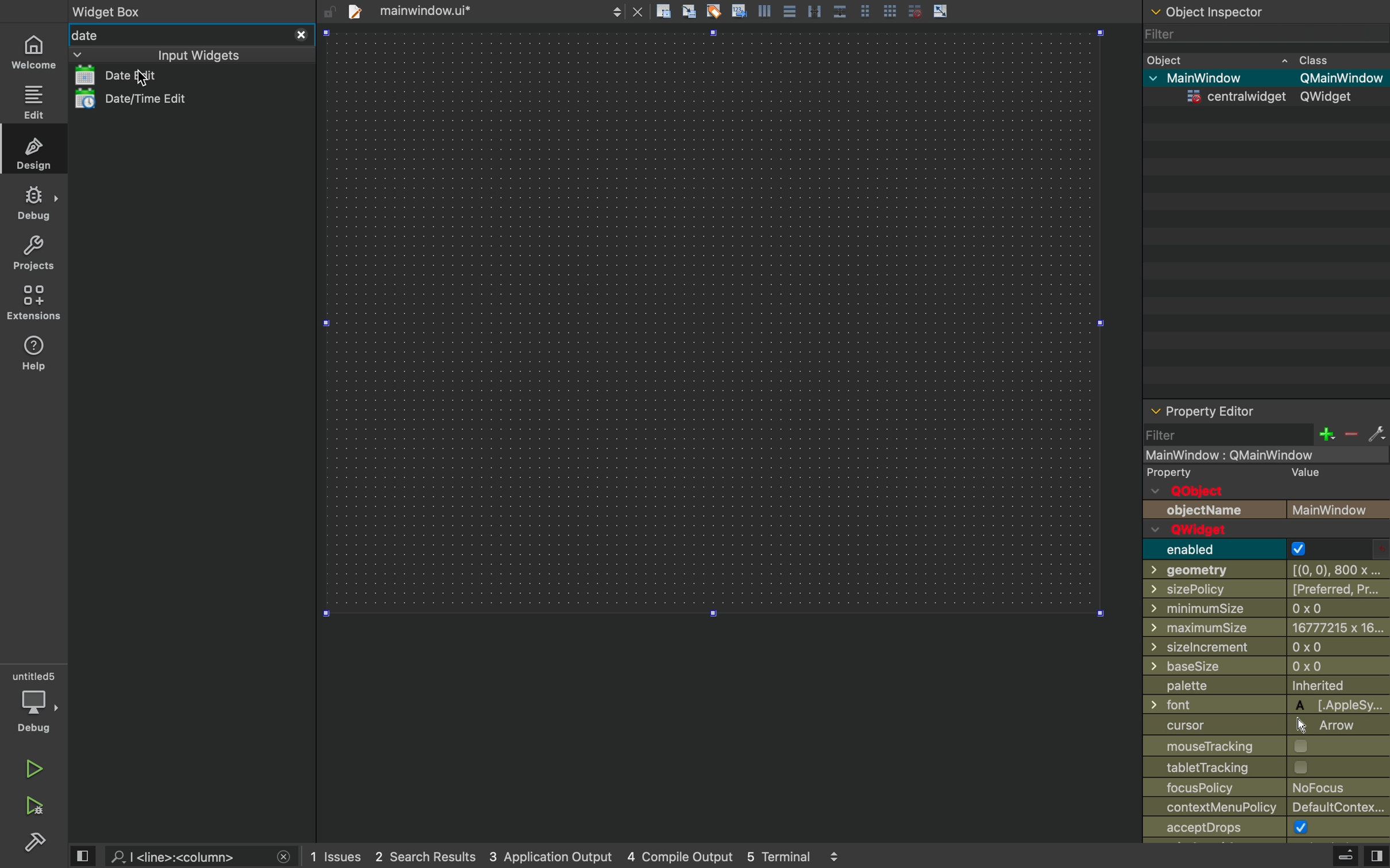 This screenshot has width=1390, height=868. I want to click on search, so click(188, 855).